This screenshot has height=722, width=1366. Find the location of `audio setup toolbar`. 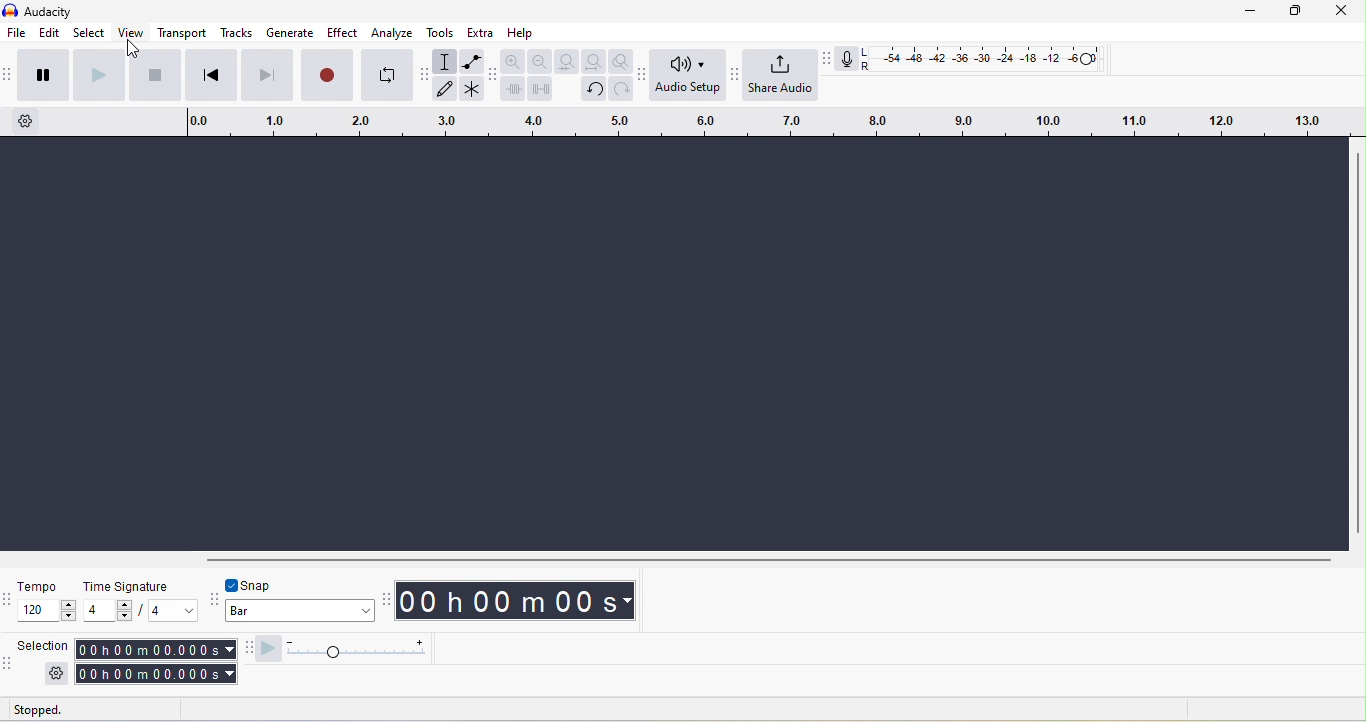

audio setup toolbar is located at coordinates (641, 76).